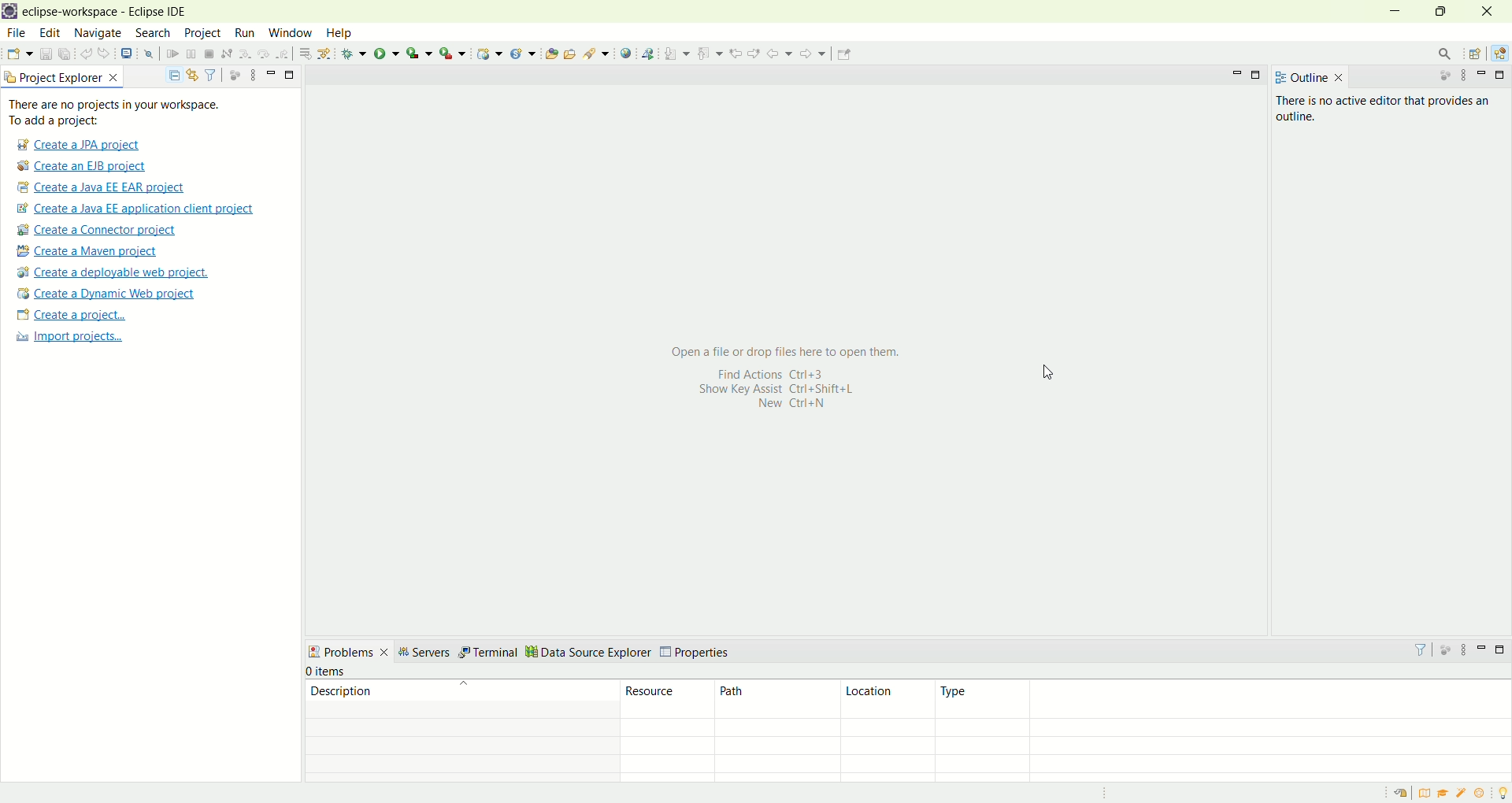 The image size is (1512, 803). I want to click on Create a EJB project, so click(84, 168).